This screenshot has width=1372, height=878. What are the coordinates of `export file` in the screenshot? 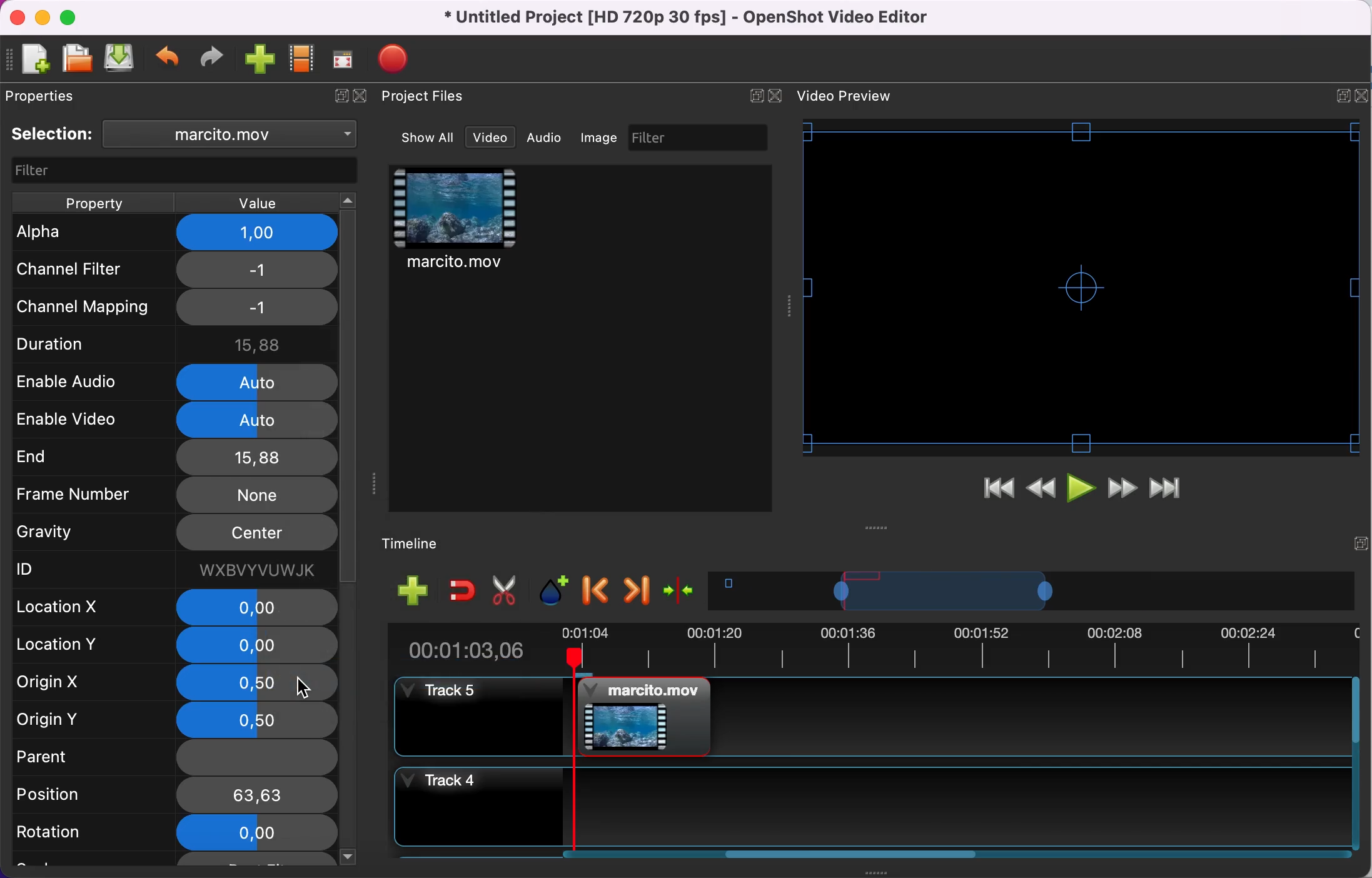 It's located at (400, 59).